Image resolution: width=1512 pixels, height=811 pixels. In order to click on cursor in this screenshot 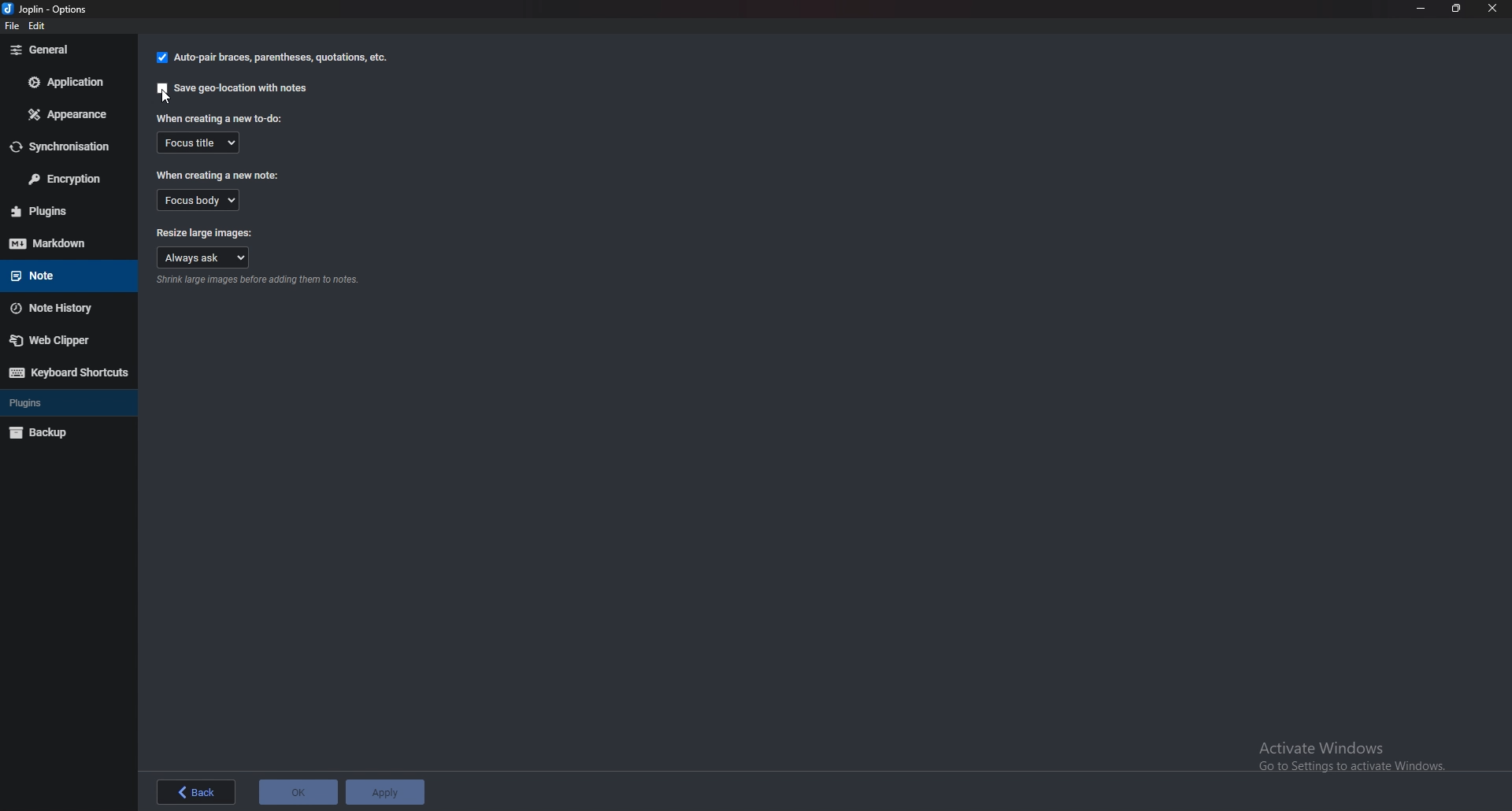, I will do `click(166, 96)`.